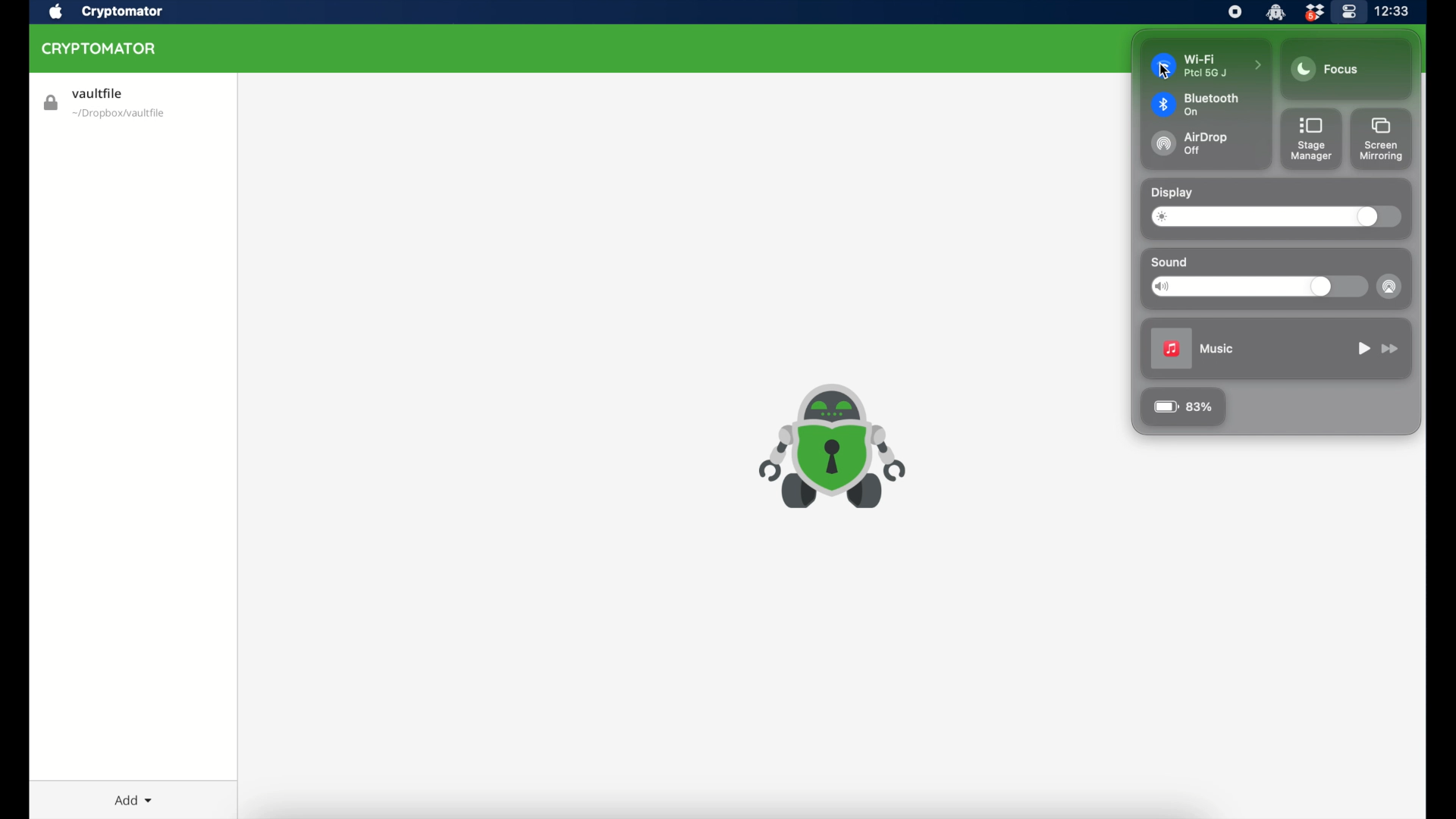  What do you see at coordinates (1184, 406) in the screenshot?
I see `83%` at bounding box center [1184, 406].